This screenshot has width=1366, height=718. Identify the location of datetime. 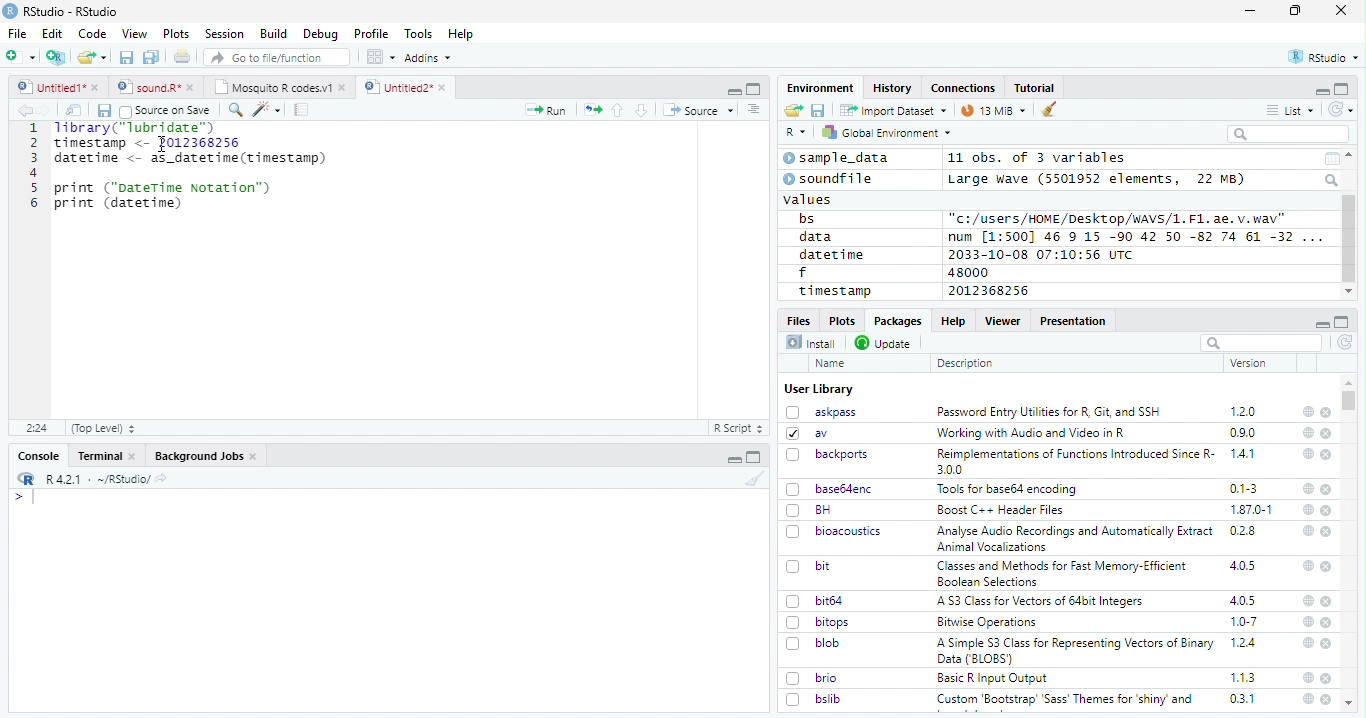
(831, 254).